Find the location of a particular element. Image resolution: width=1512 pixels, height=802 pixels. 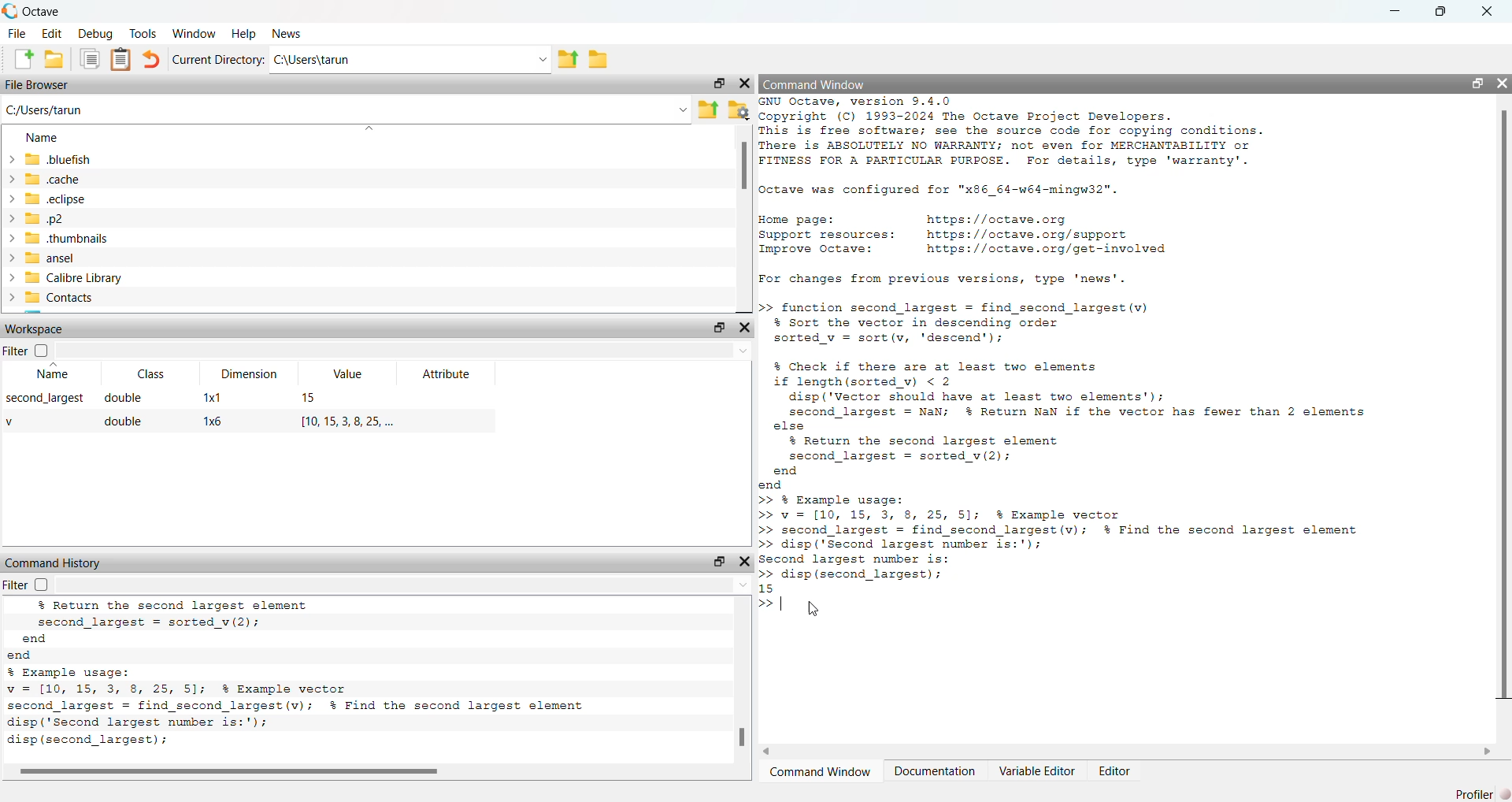

octave resources is located at coordinates (999, 234).